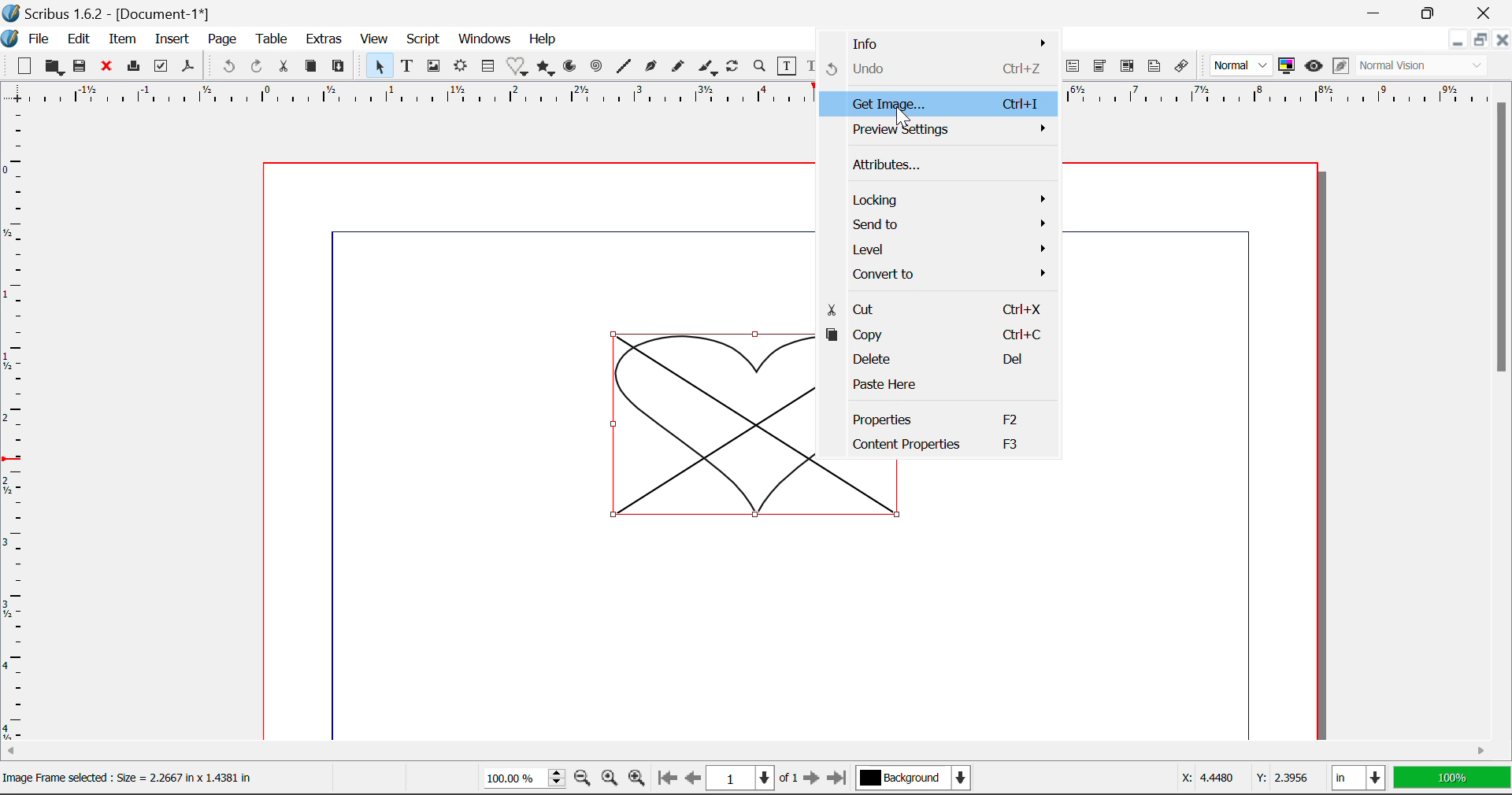 This screenshot has height=795, width=1512. I want to click on Get Image, so click(936, 105).